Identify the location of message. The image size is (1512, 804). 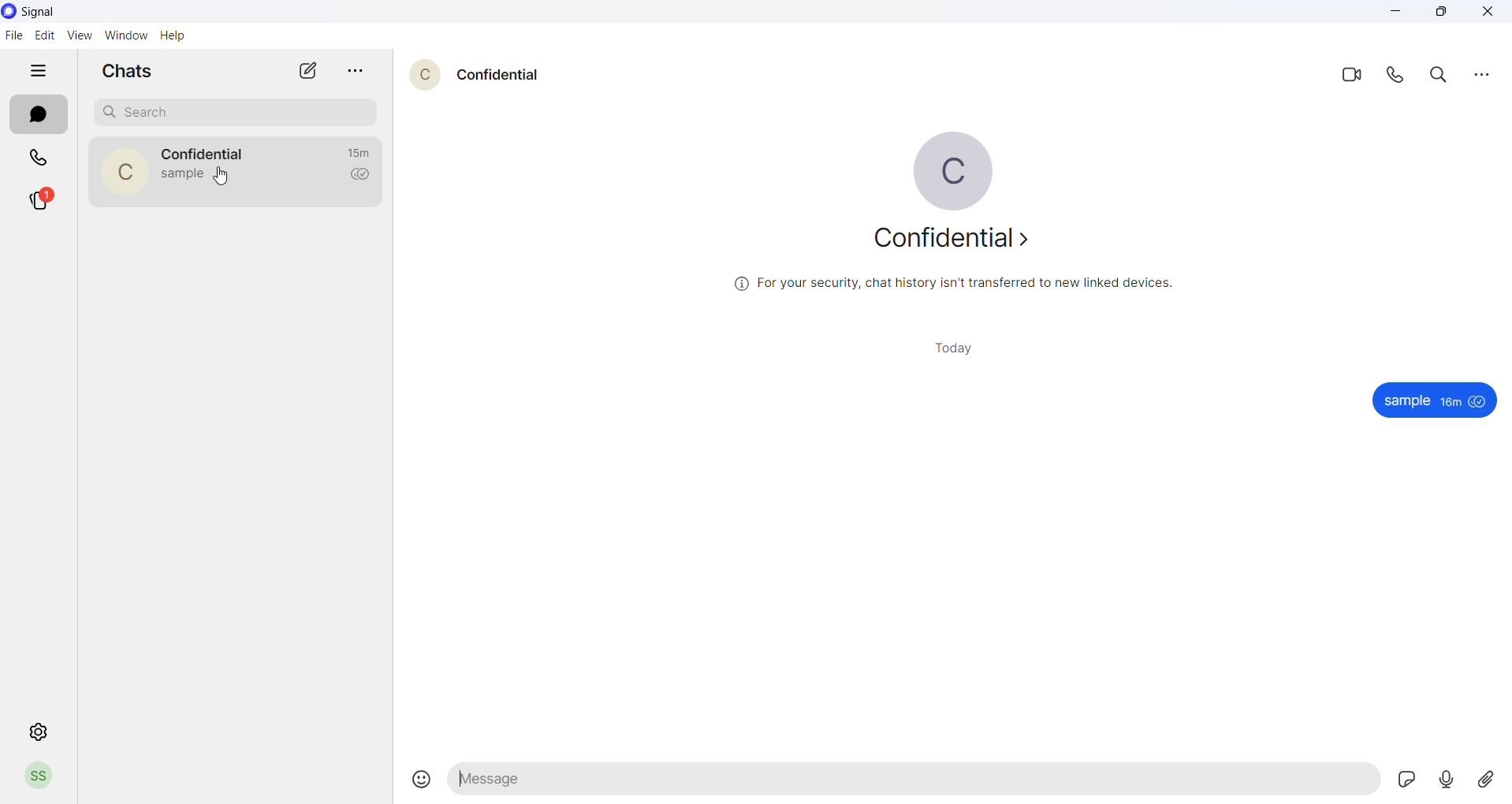
(911, 775).